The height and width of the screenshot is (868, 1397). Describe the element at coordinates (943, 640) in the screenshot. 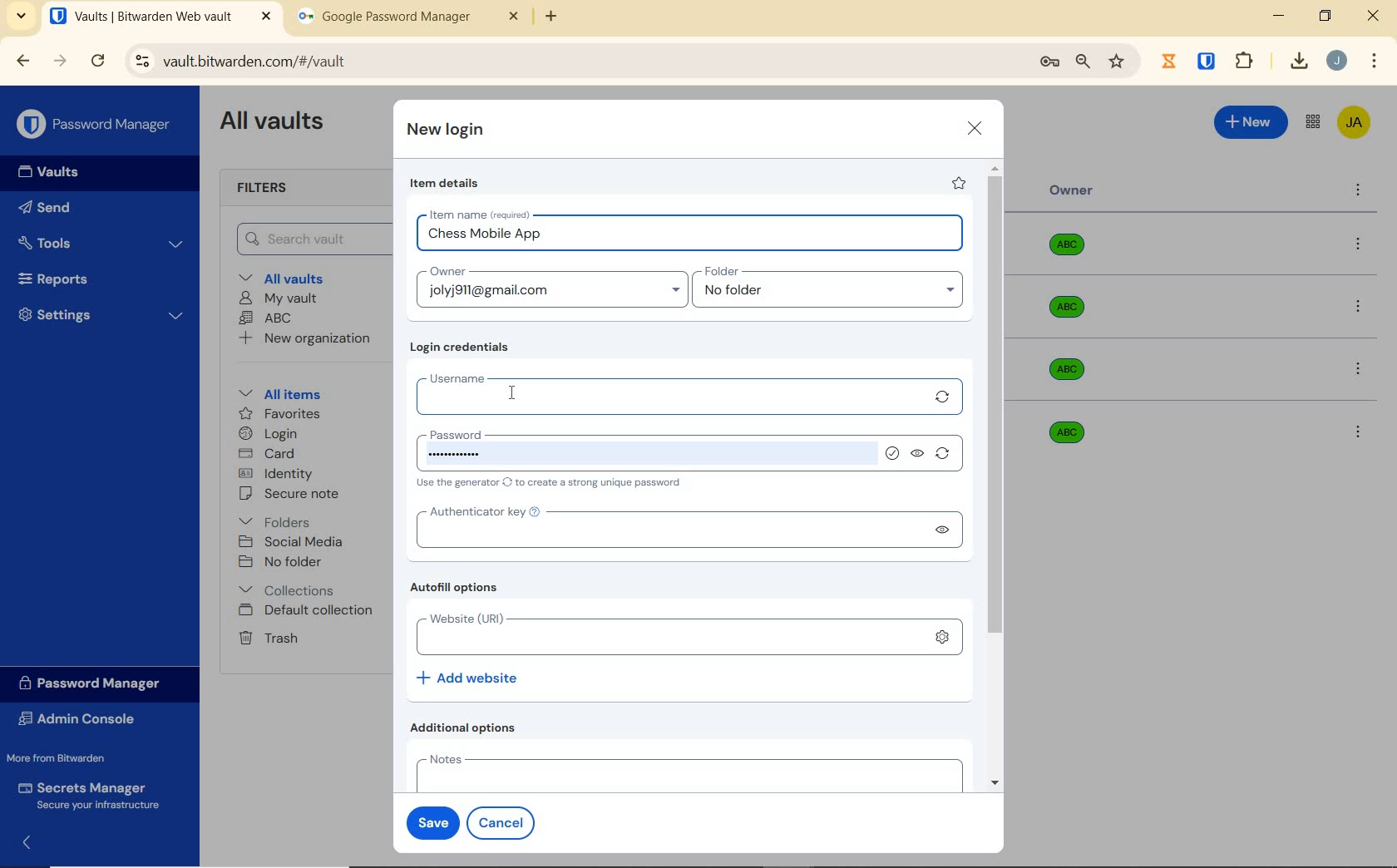

I see `link` at that location.